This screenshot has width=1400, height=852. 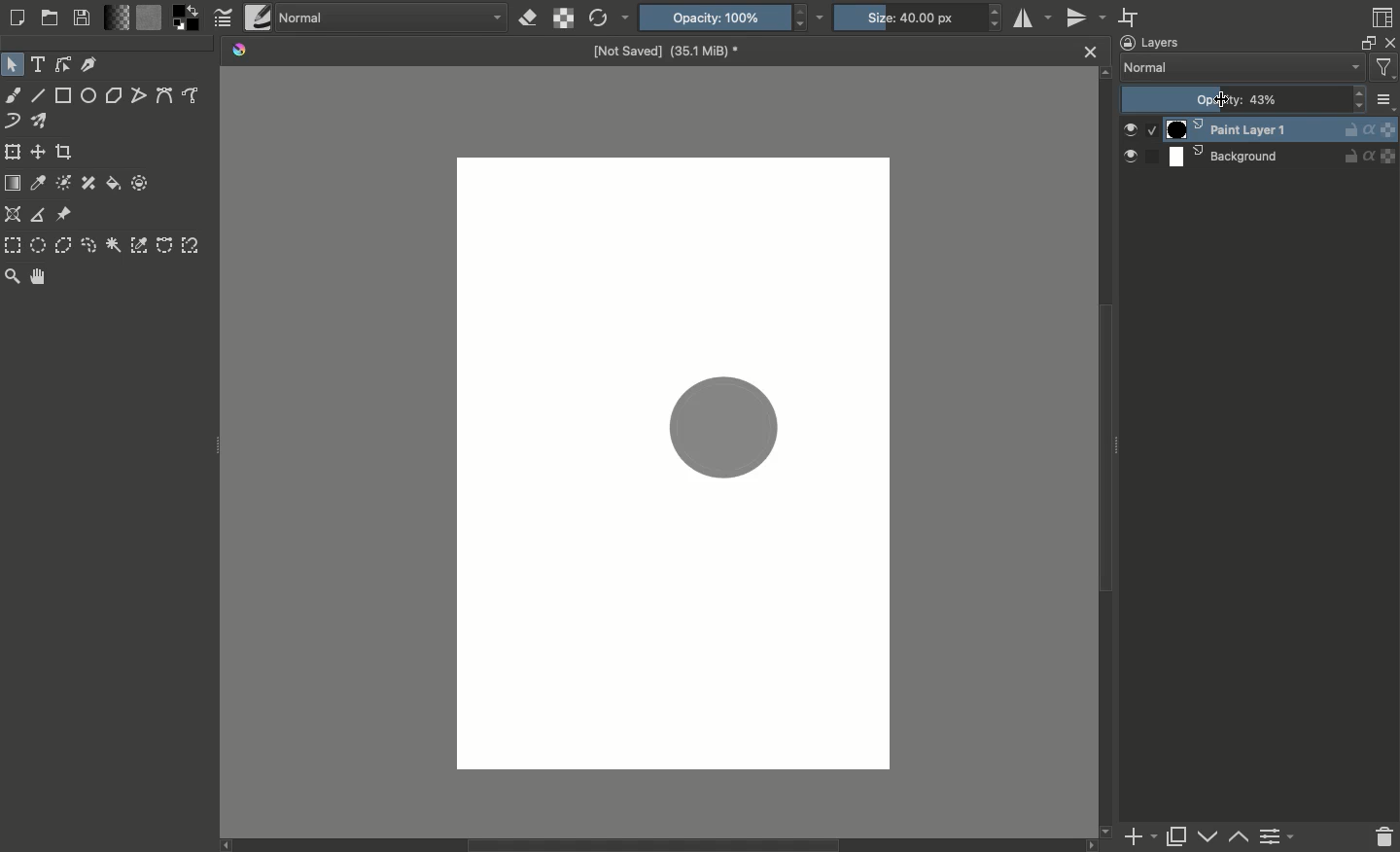 What do you see at coordinates (13, 122) in the screenshot?
I see `Dynamic brush tool` at bounding box center [13, 122].